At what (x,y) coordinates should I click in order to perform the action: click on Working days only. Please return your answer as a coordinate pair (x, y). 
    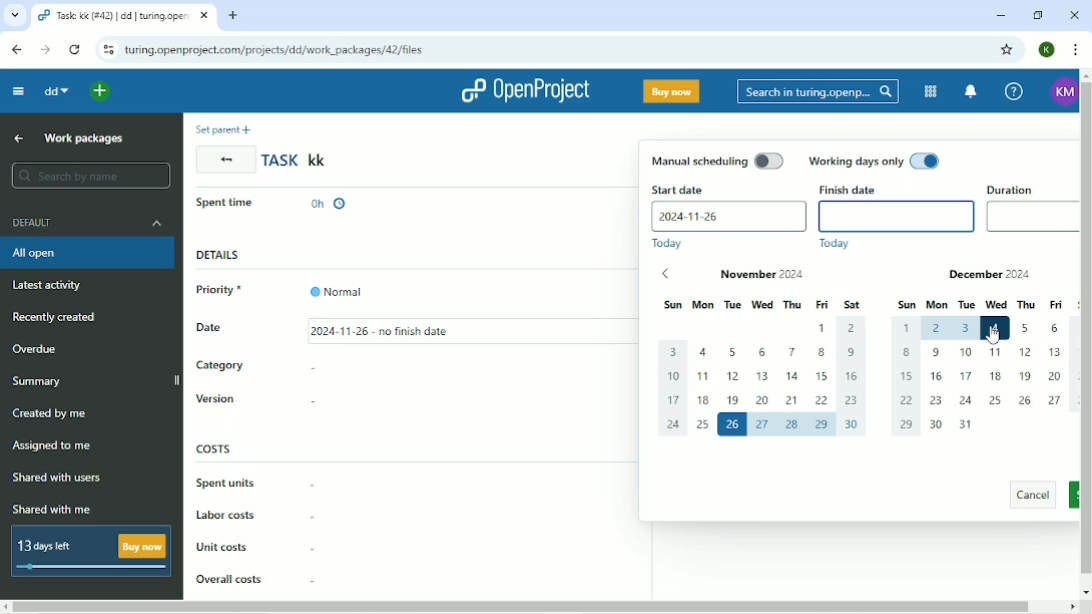
    Looking at the image, I should click on (872, 162).